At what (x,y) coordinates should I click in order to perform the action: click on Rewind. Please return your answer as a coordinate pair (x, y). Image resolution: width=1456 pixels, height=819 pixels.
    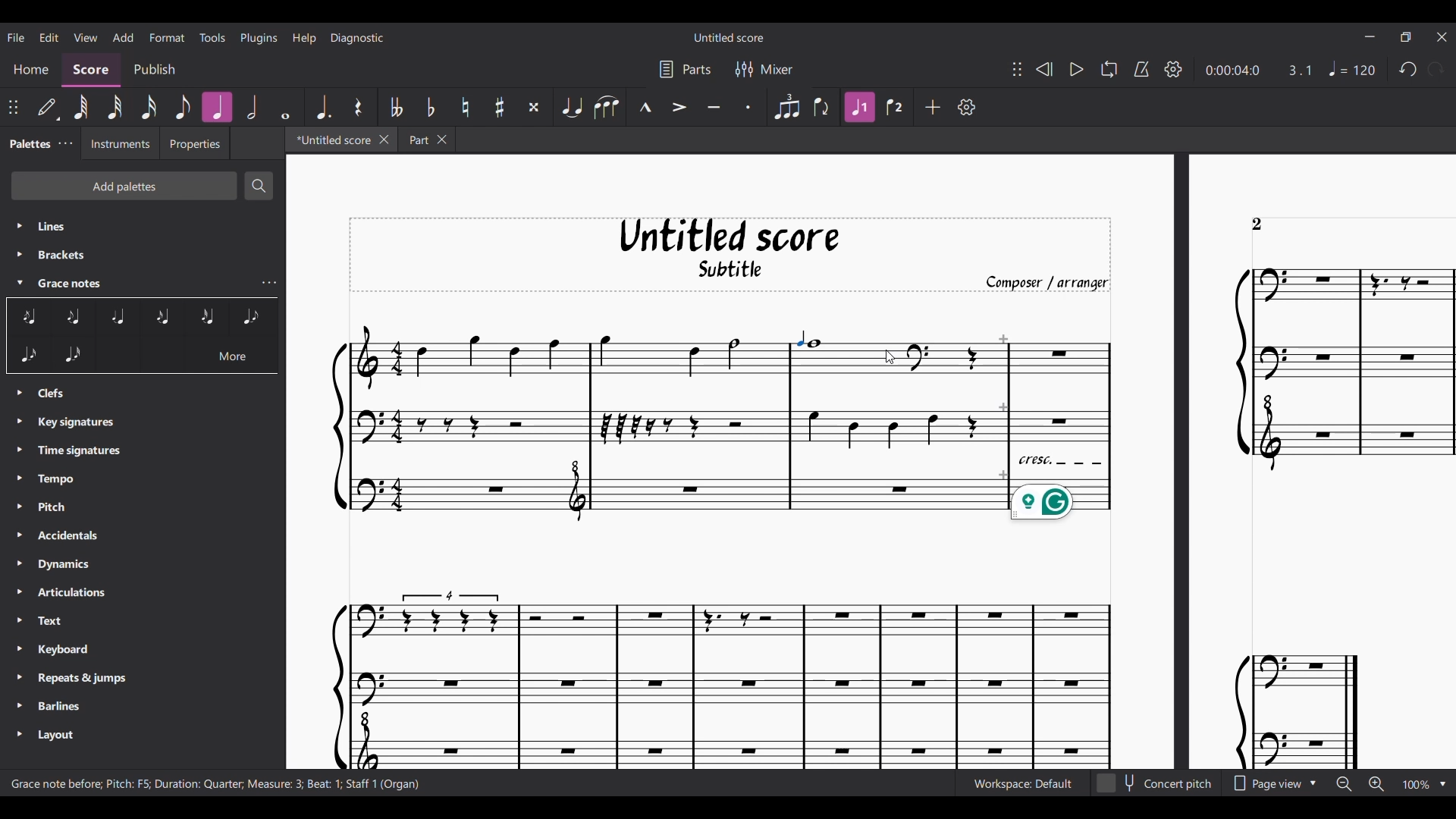
    Looking at the image, I should click on (1043, 68).